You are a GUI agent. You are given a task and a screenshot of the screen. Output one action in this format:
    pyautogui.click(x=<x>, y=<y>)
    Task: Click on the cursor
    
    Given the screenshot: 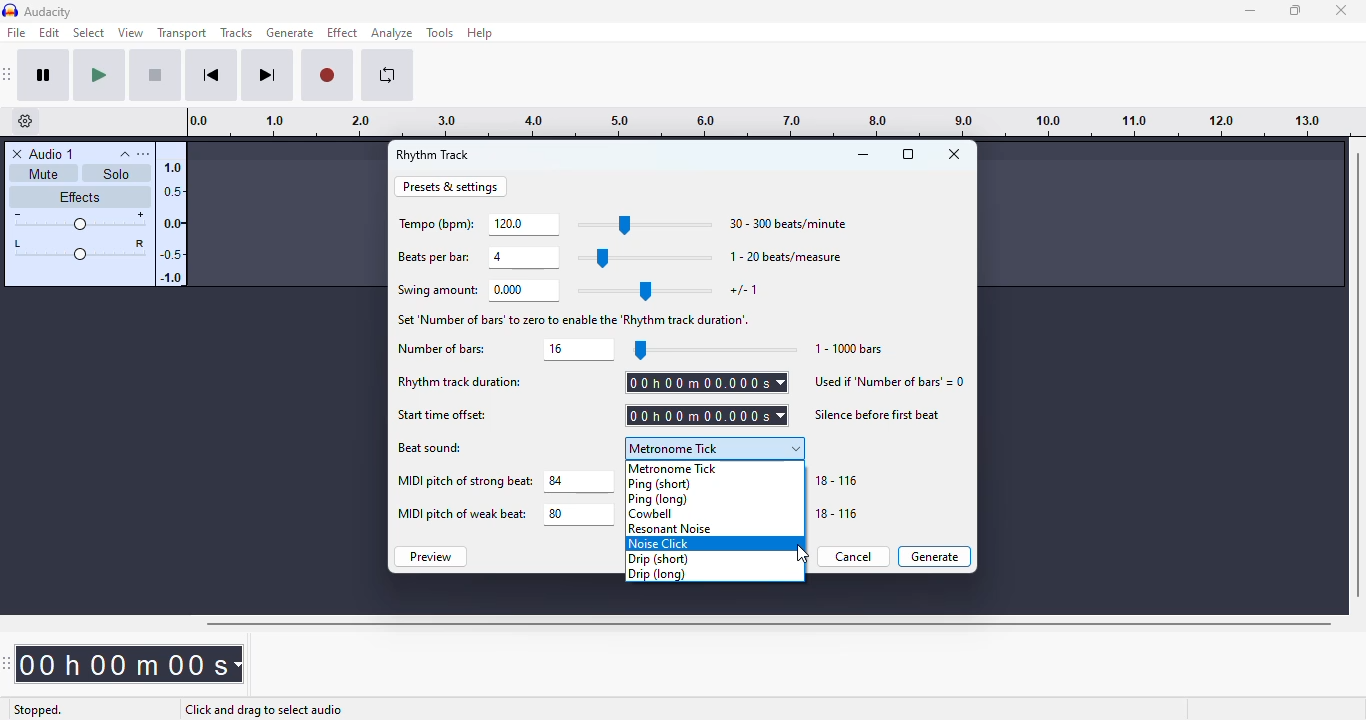 What is the action you would take?
    pyautogui.click(x=802, y=554)
    